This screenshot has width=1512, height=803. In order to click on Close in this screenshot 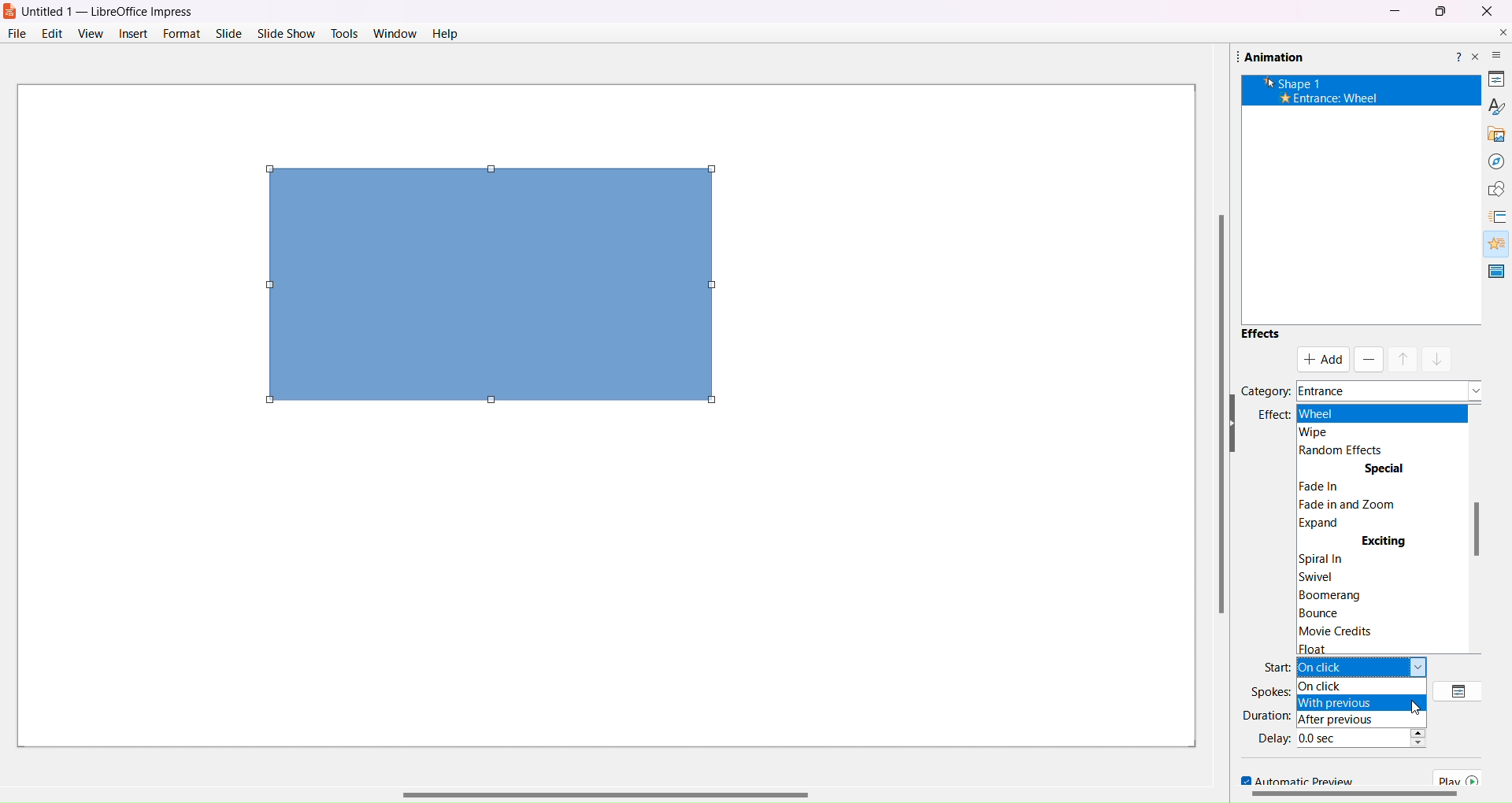, I will do `click(1486, 10)`.